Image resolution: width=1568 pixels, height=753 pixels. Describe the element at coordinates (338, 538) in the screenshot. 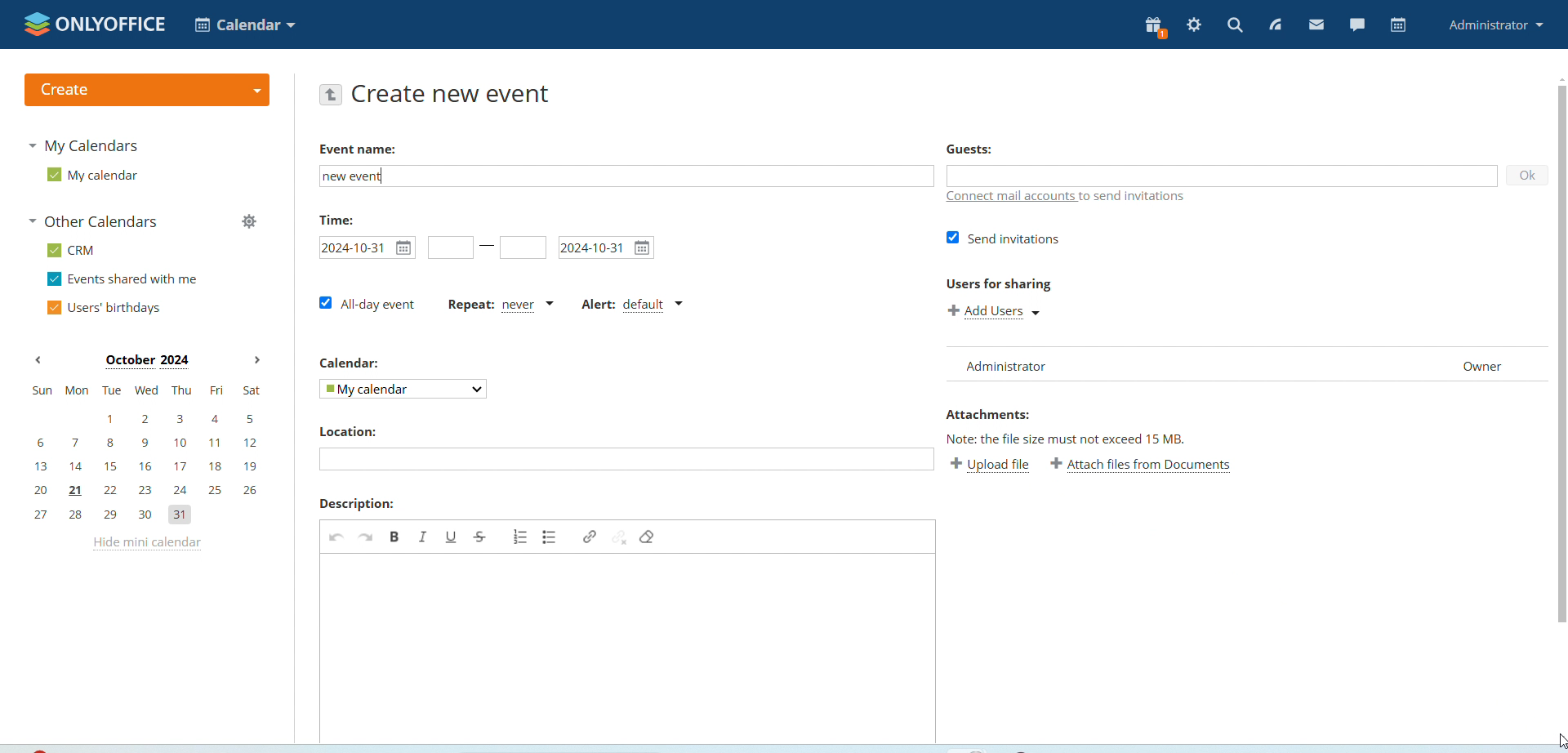

I see `undo` at that location.